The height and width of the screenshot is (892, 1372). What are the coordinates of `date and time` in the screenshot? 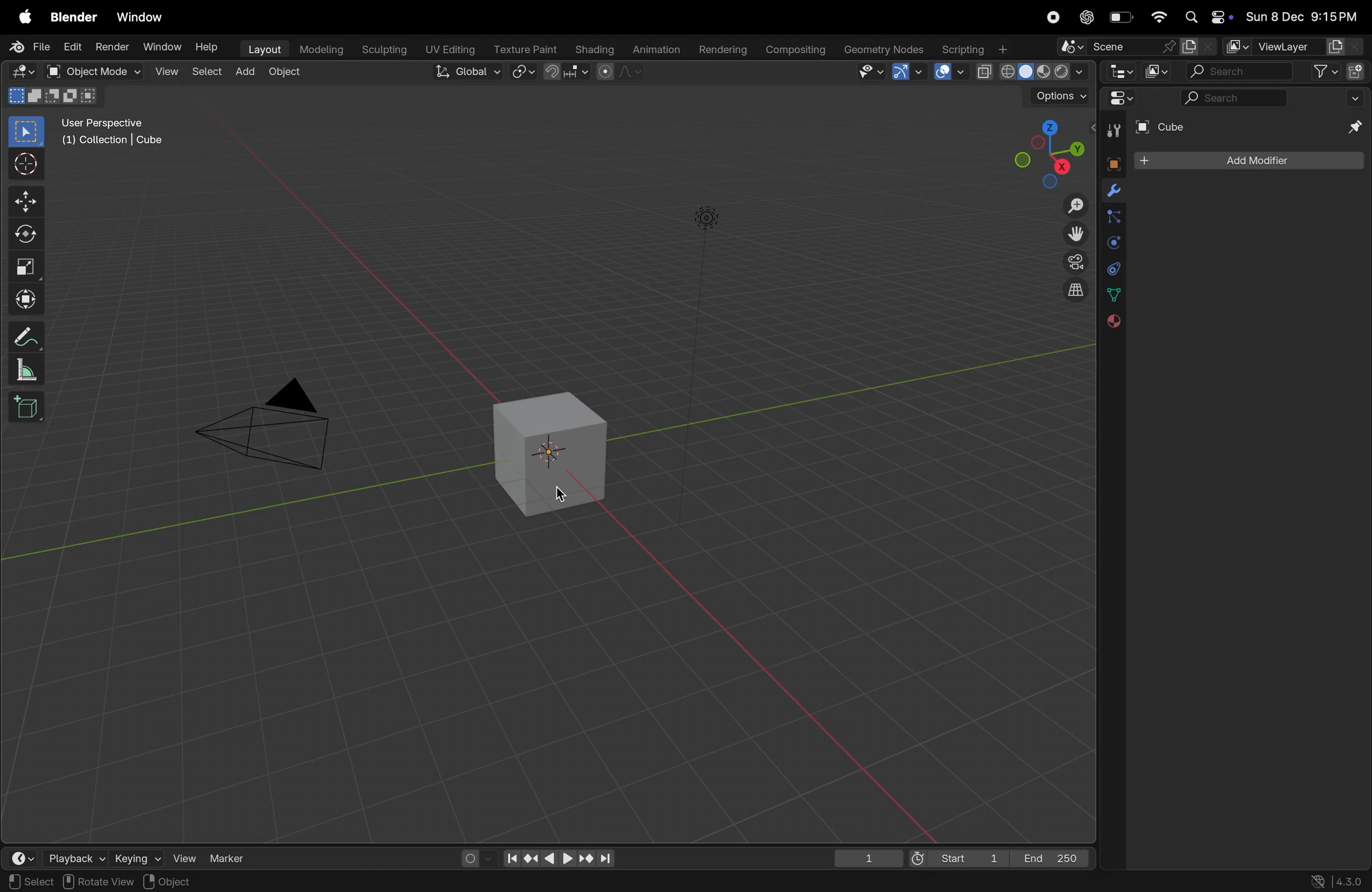 It's located at (1302, 18).